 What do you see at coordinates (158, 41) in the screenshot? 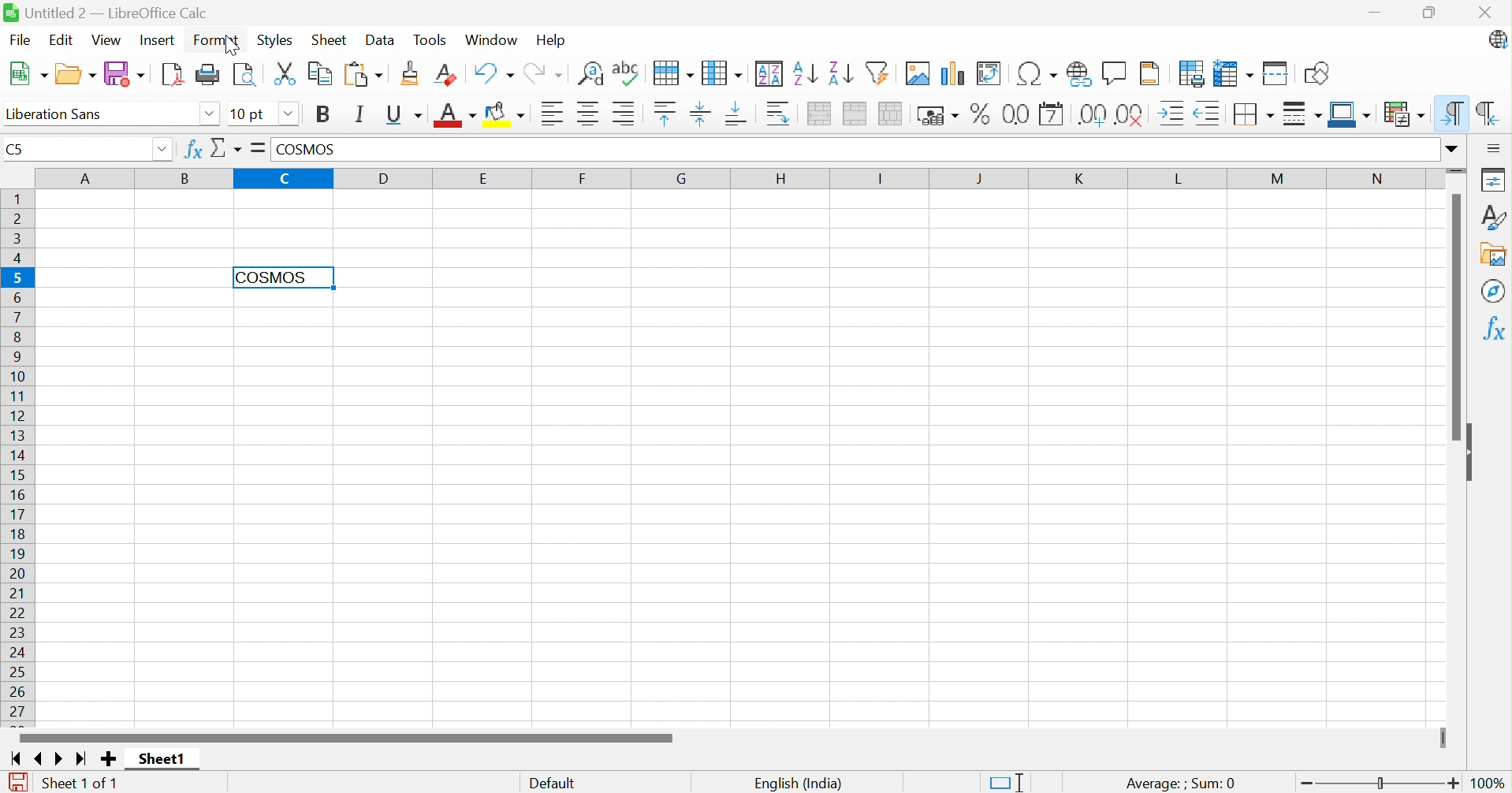
I see `Insert` at bounding box center [158, 41].